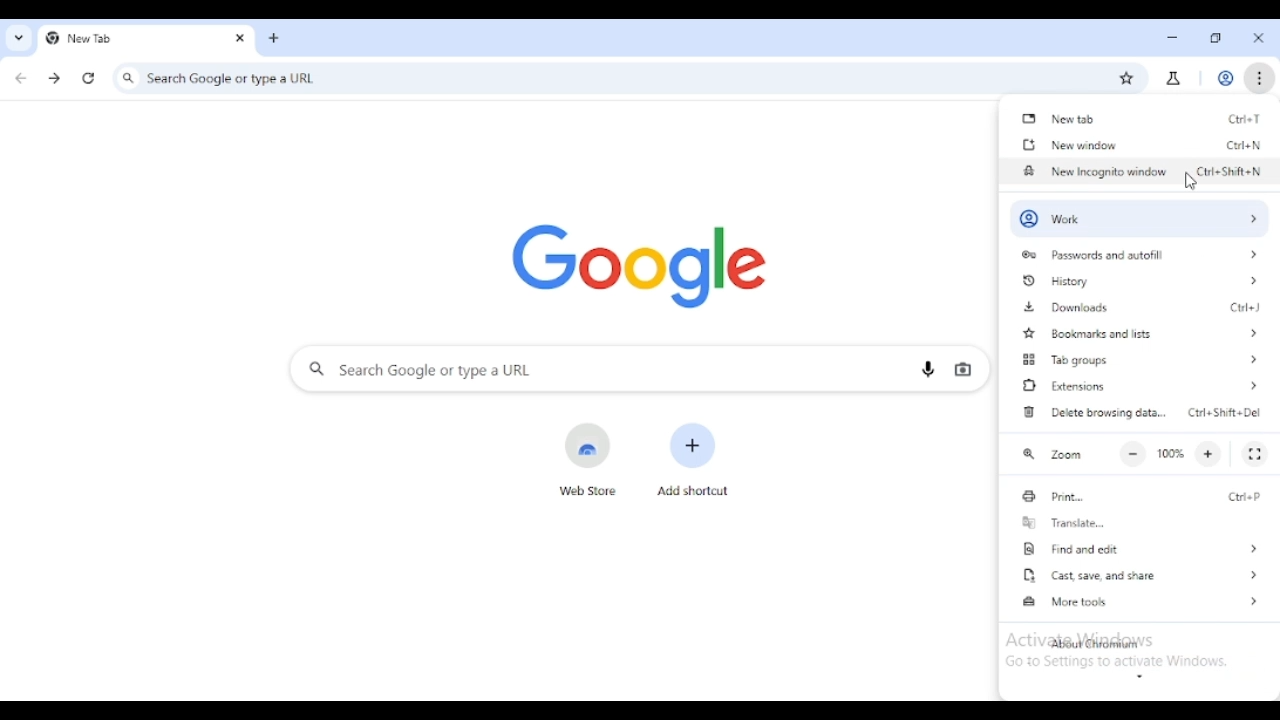 The width and height of the screenshot is (1280, 720). I want to click on shortcut for new incognito window, so click(1229, 170).